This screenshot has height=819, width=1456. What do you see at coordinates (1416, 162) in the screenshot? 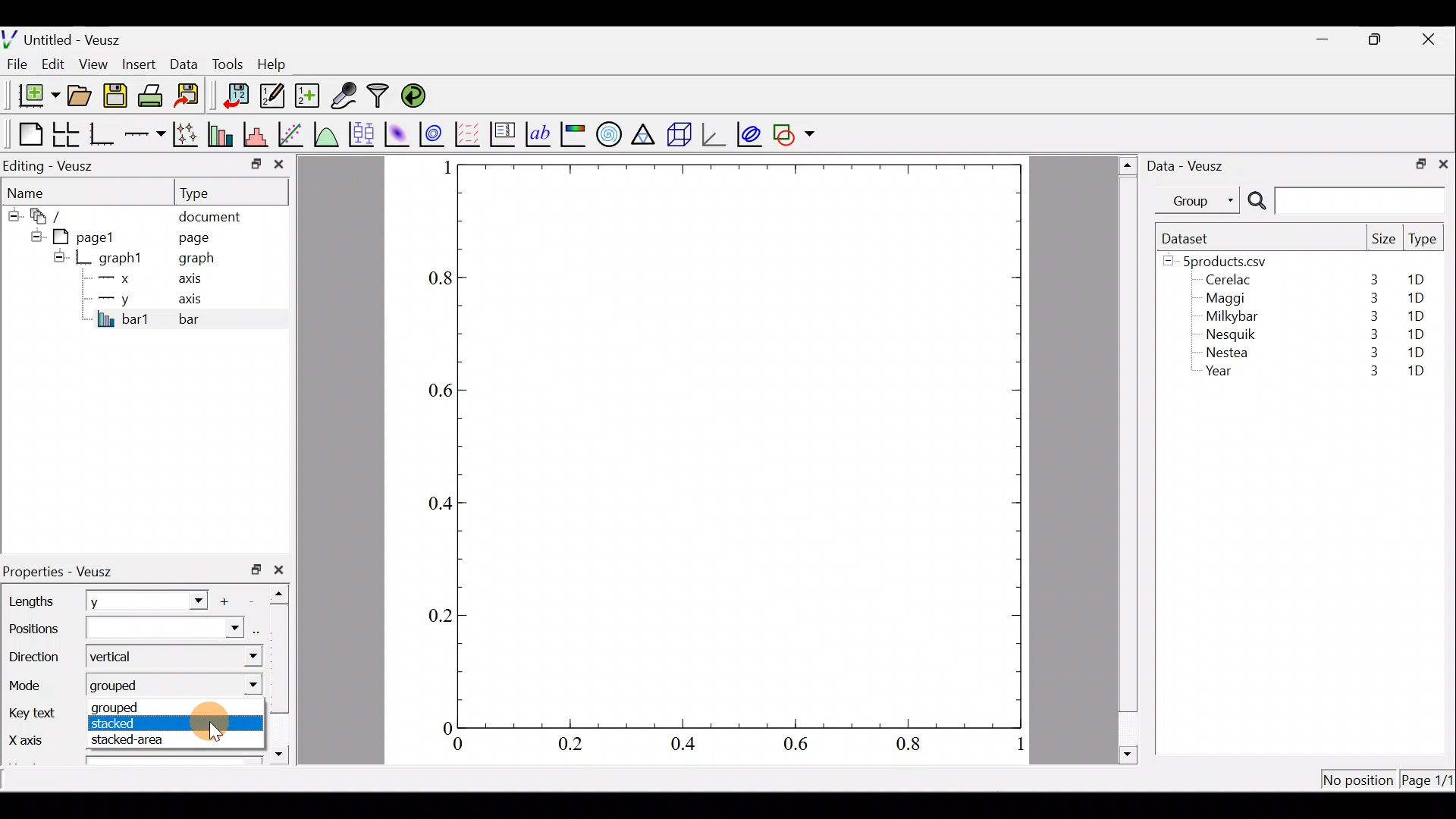
I see `restore down` at bounding box center [1416, 162].